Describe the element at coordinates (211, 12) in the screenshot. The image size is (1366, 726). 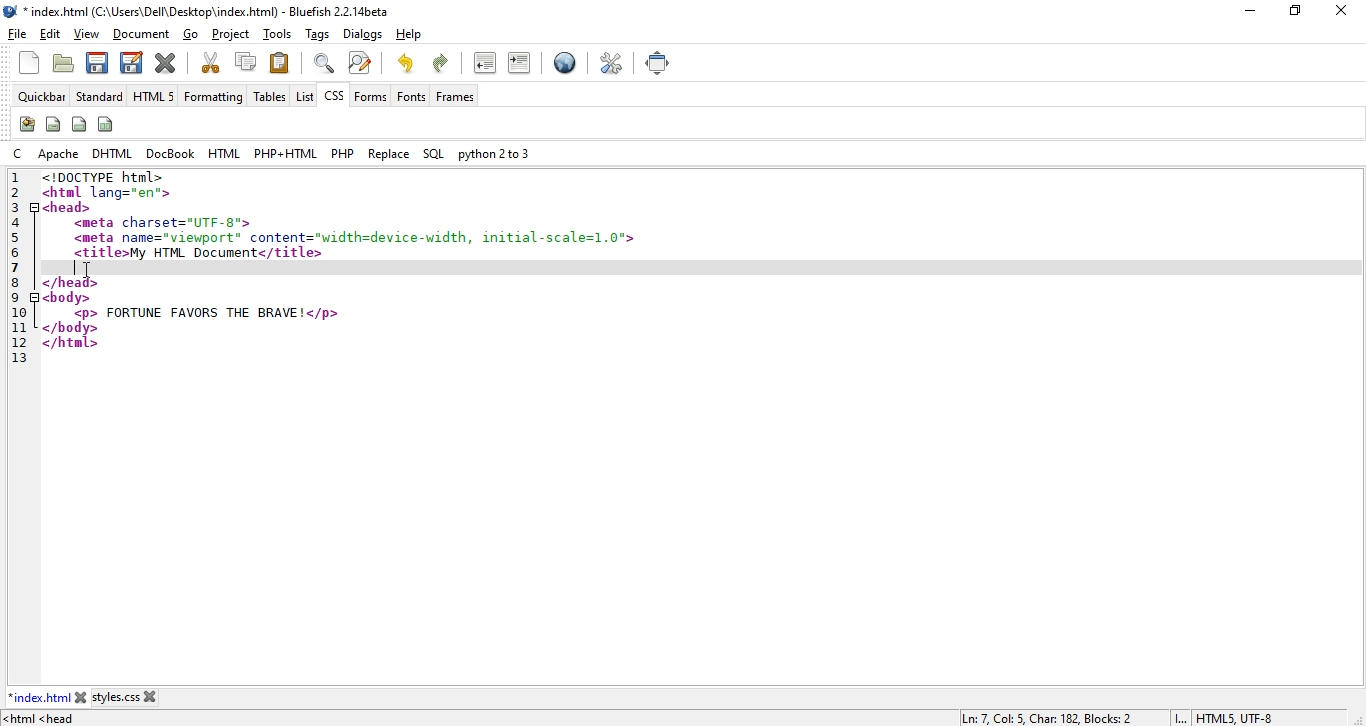
I see `* index.html (C:\Users\Dell\Desktop\index.html) - Bluefish 2.2. 14beta` at that location.